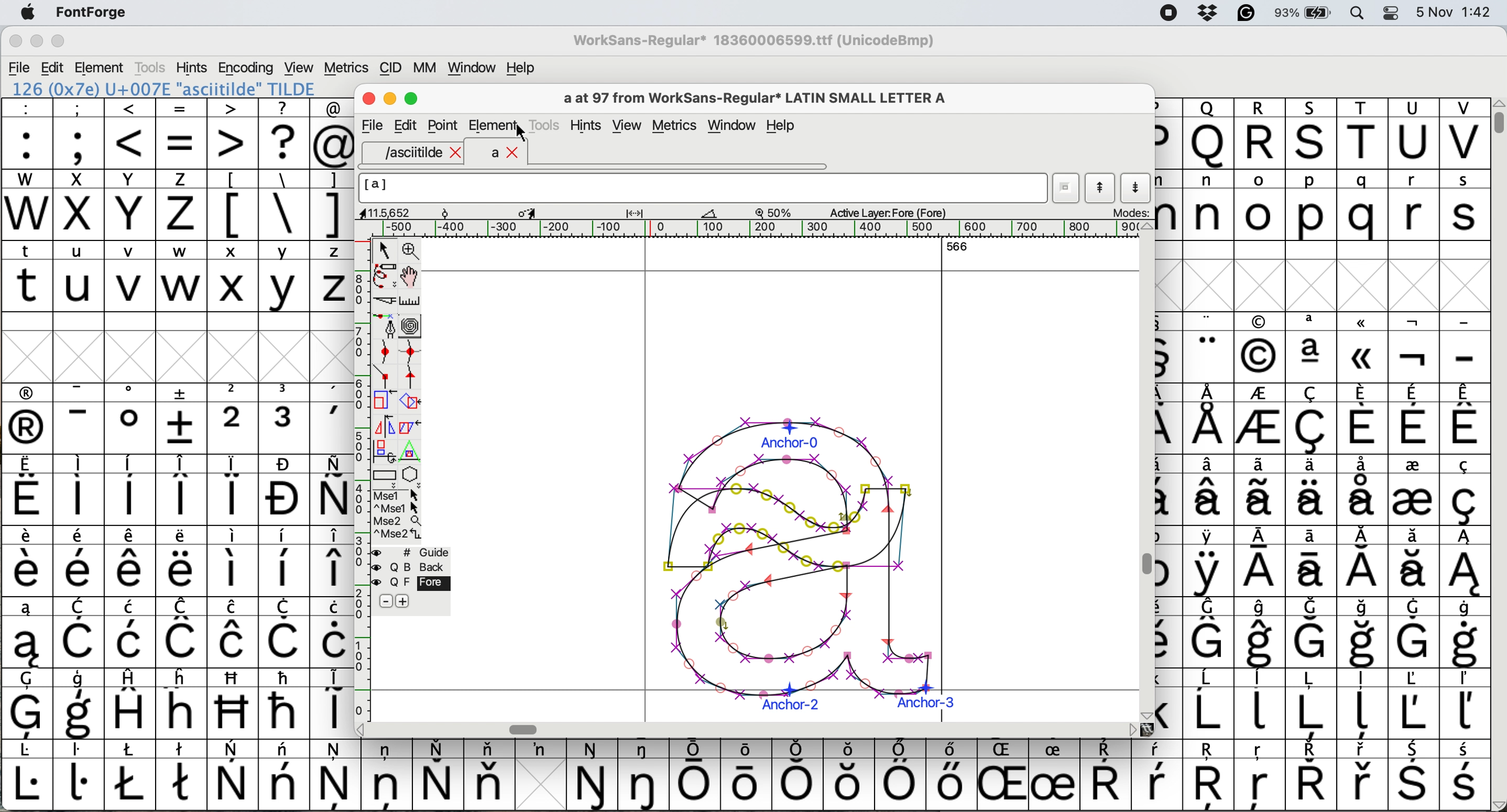  Describe the element at coordinates (822, 646) in the screenshot. I see `a glyph` at that location.